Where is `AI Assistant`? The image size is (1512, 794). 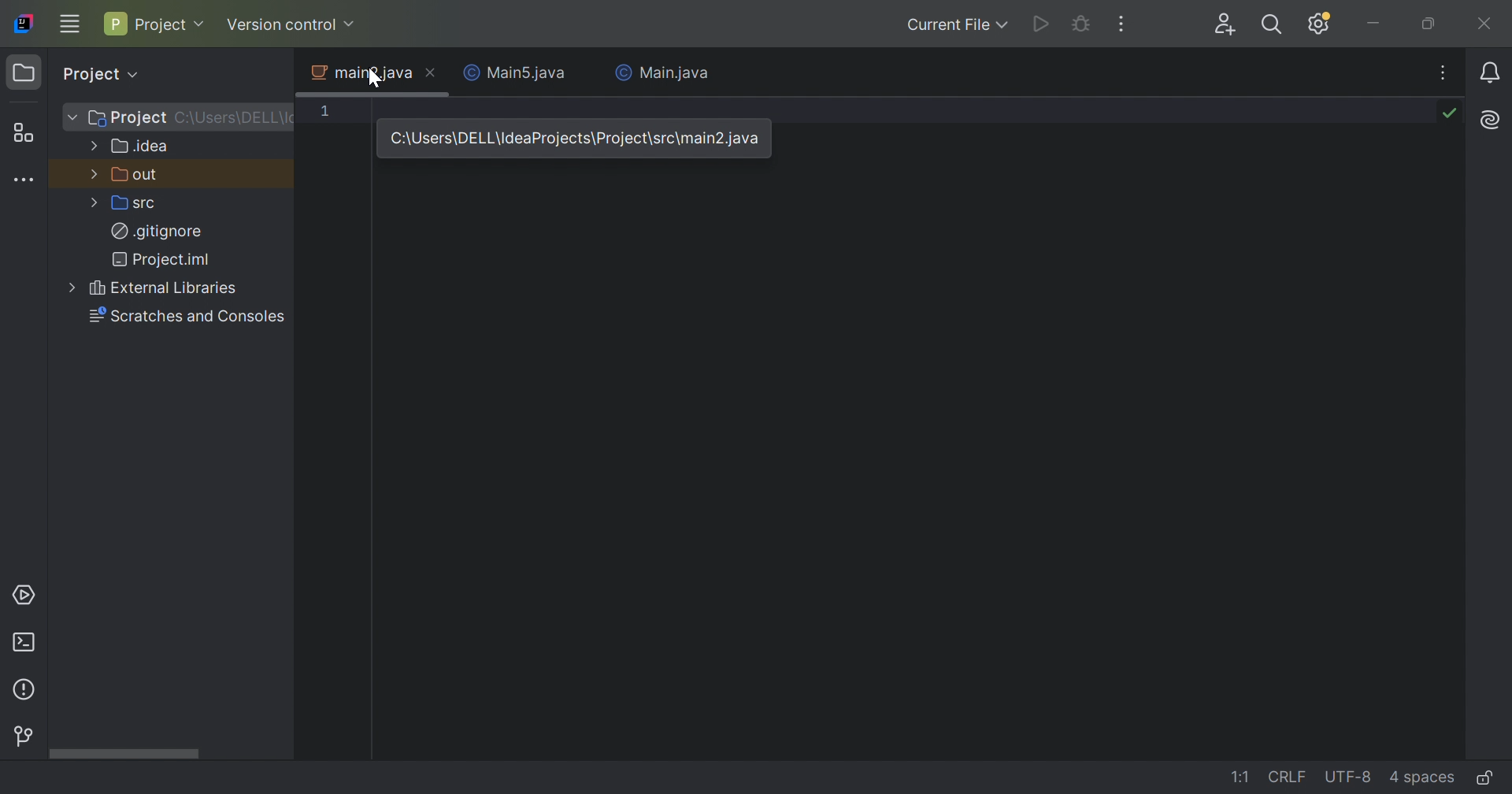
AI Assistant is located at coordinates (1491, 120).